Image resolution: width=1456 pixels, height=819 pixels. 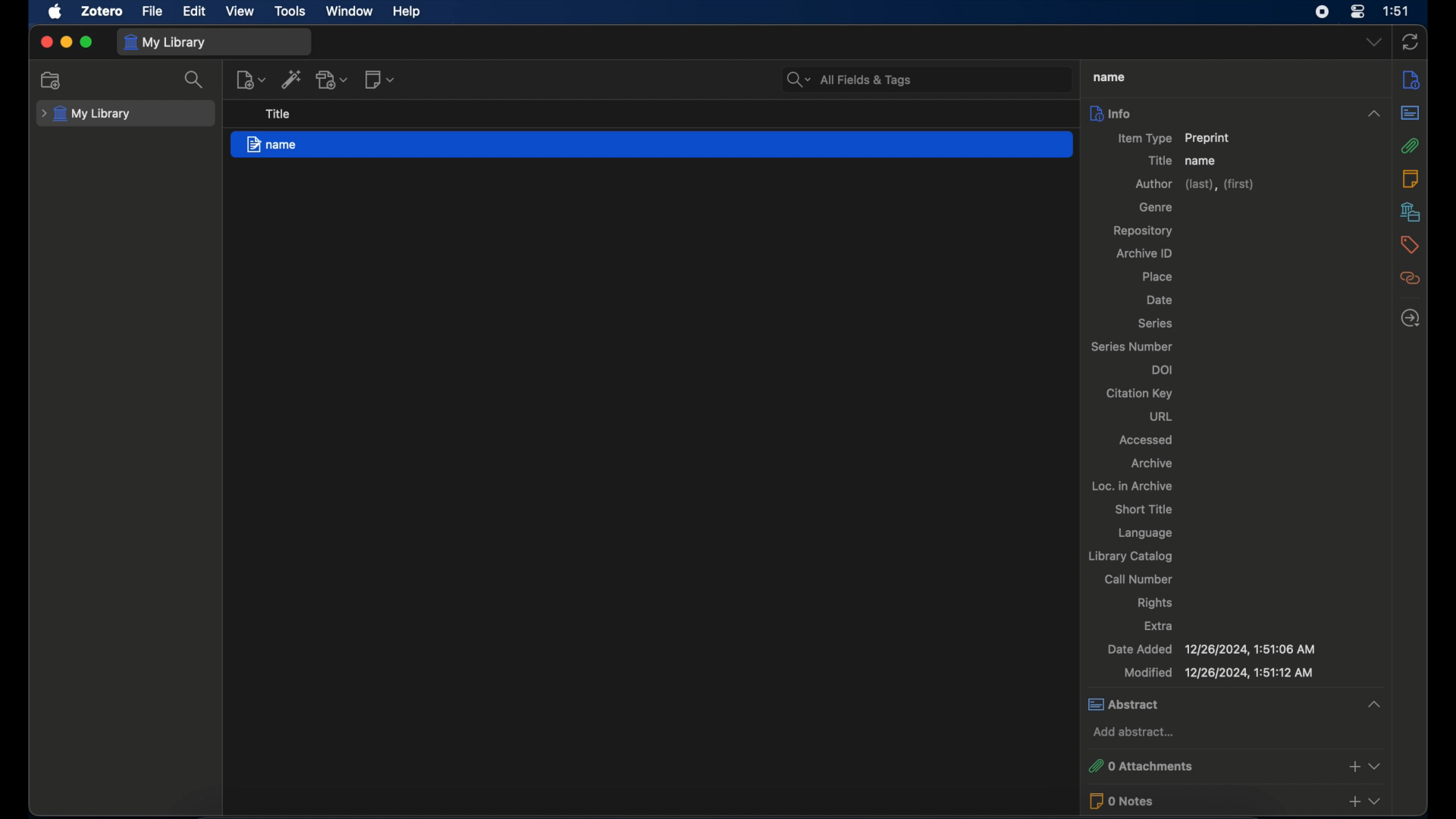 What do you see at coordinates (1129, 557) in the screenshot?
I see `library catalog` at bounding box center [1129, 557].